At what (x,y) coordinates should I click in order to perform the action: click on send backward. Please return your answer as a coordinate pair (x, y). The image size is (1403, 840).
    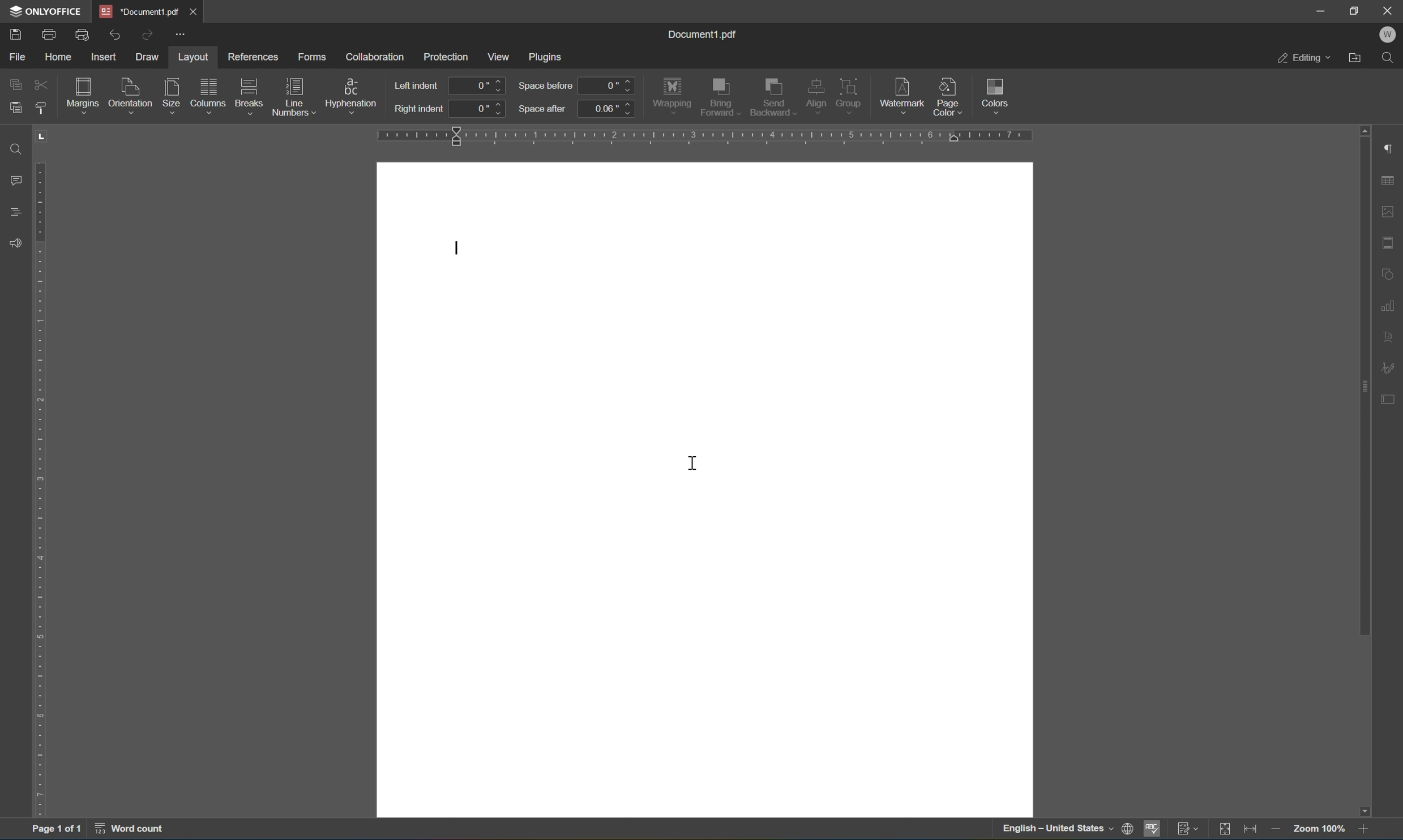
    Looking at the image, I should click on (771, 97).